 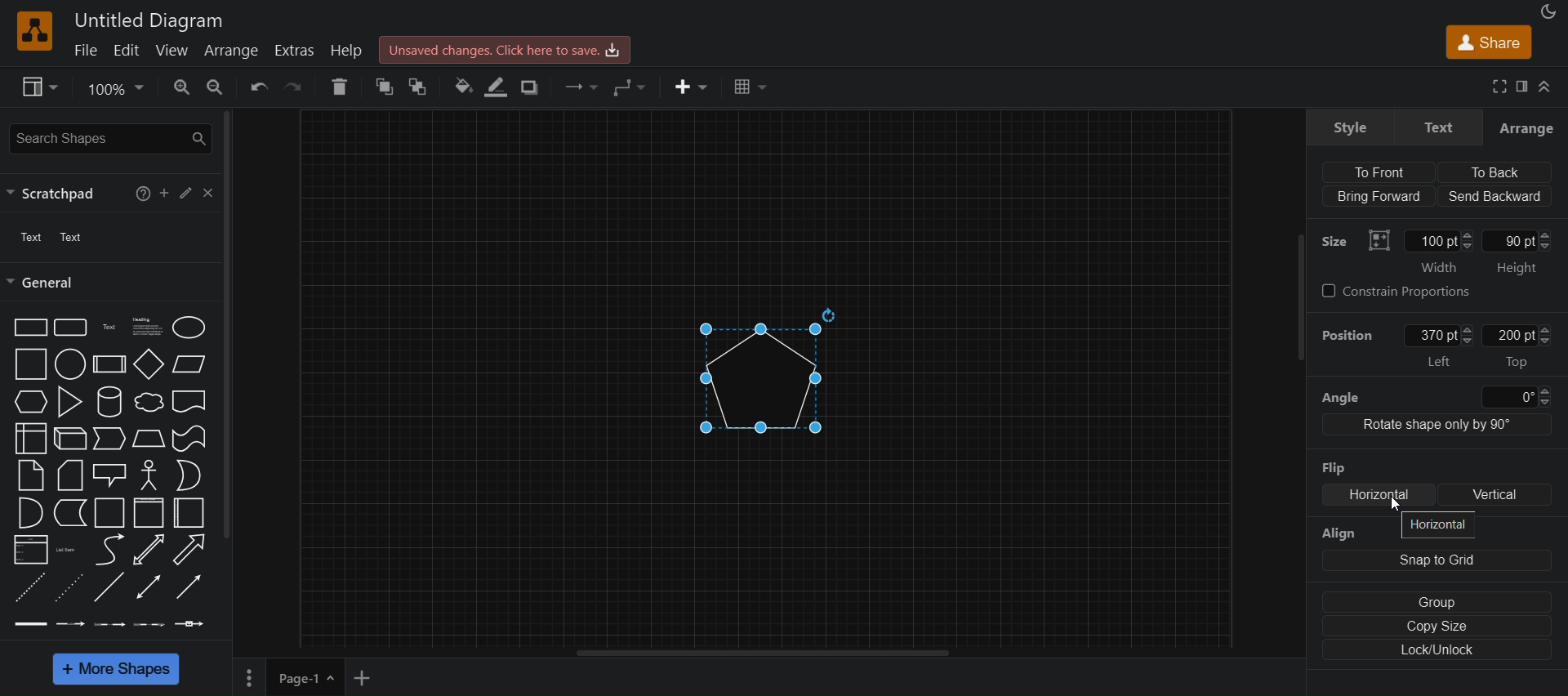 What do you see at coordinates (149, 439) in the screenshot?
I see `Trapezoid` at bounding box center [149, 439].